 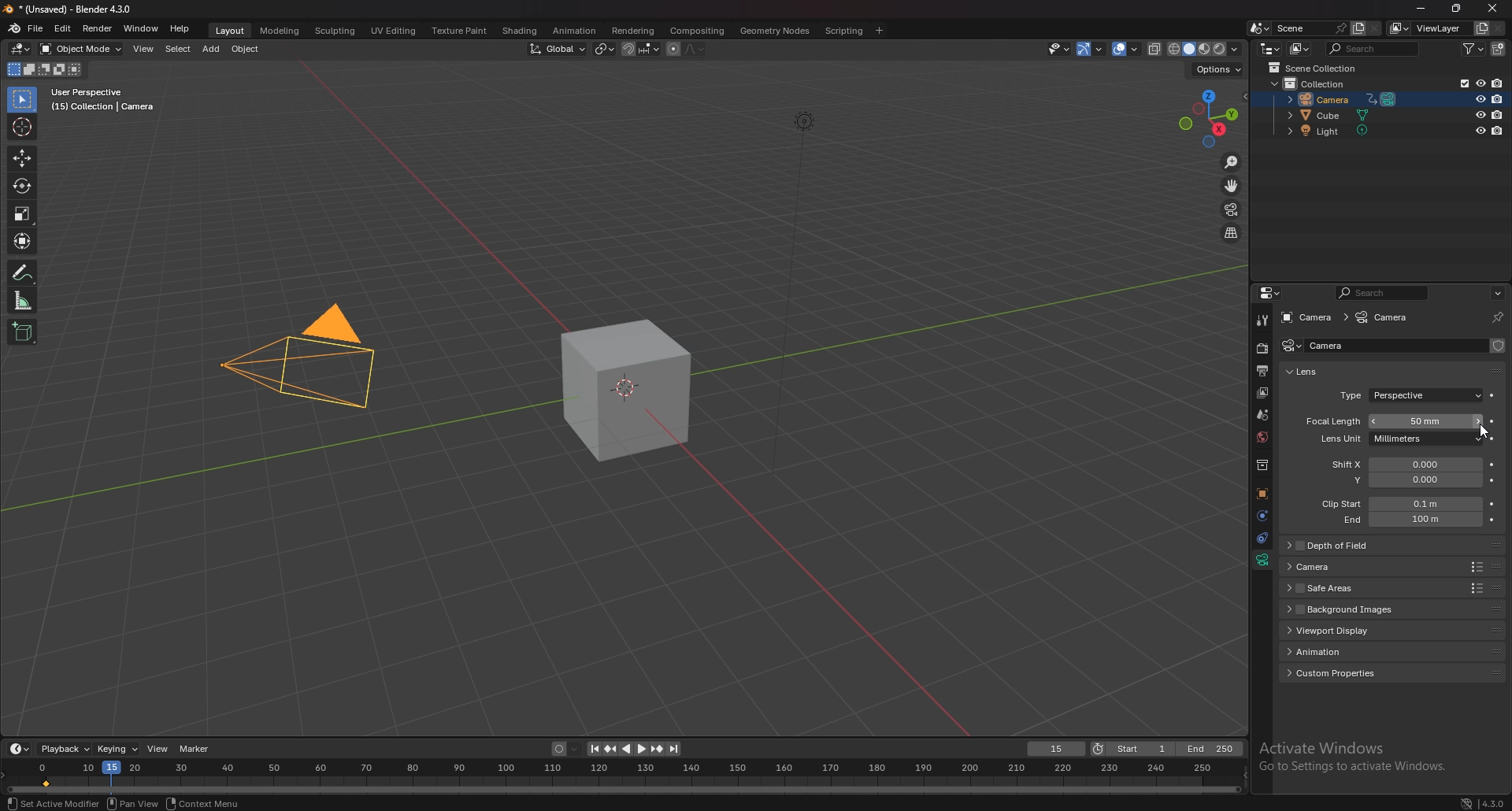 What do you see at coordinates (1058, 49) in the screenshot?
I see `selectibility and visibility` at bounding box center [1058, 49].